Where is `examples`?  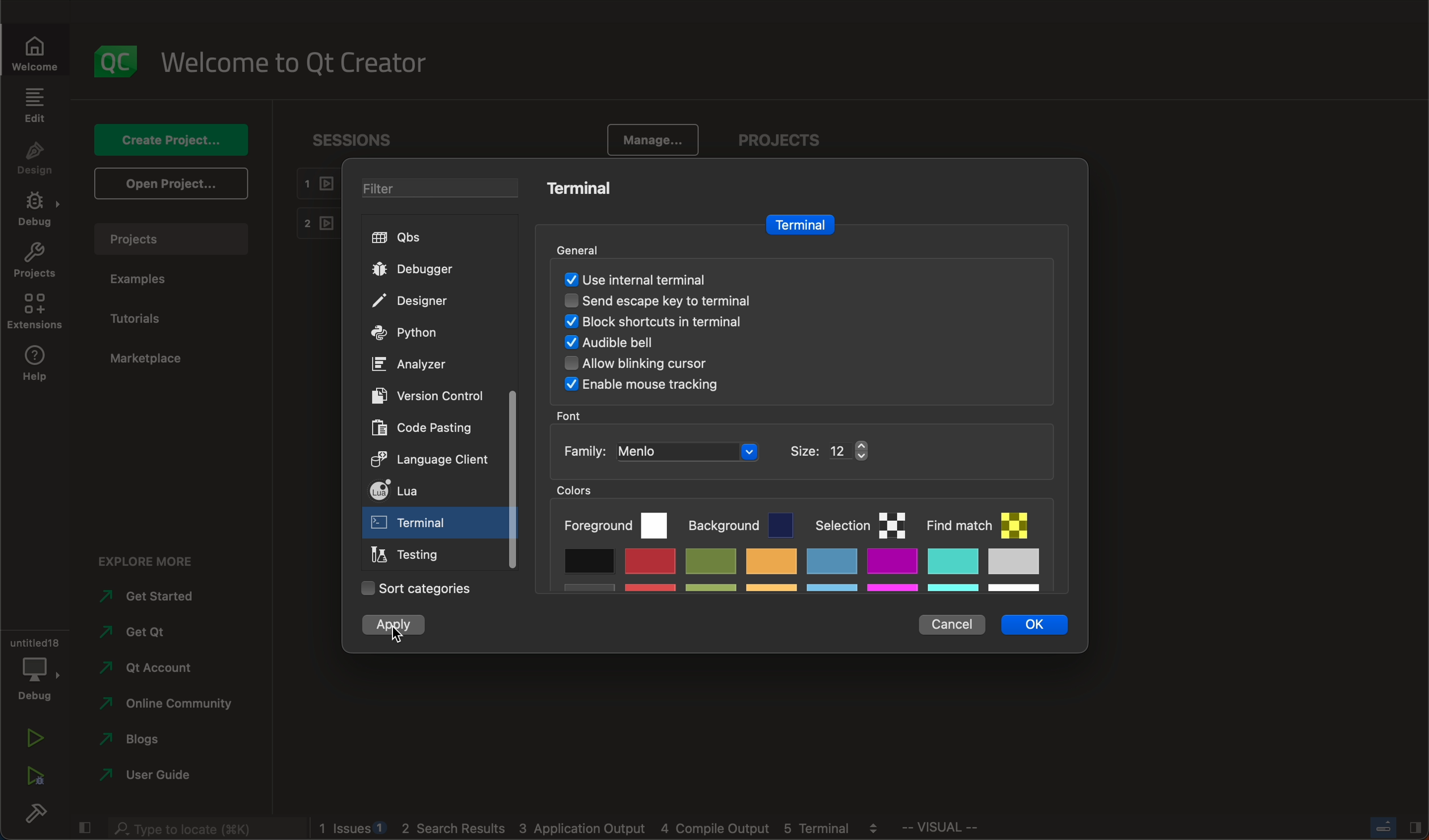
examples is located at coordinates (150, 279).